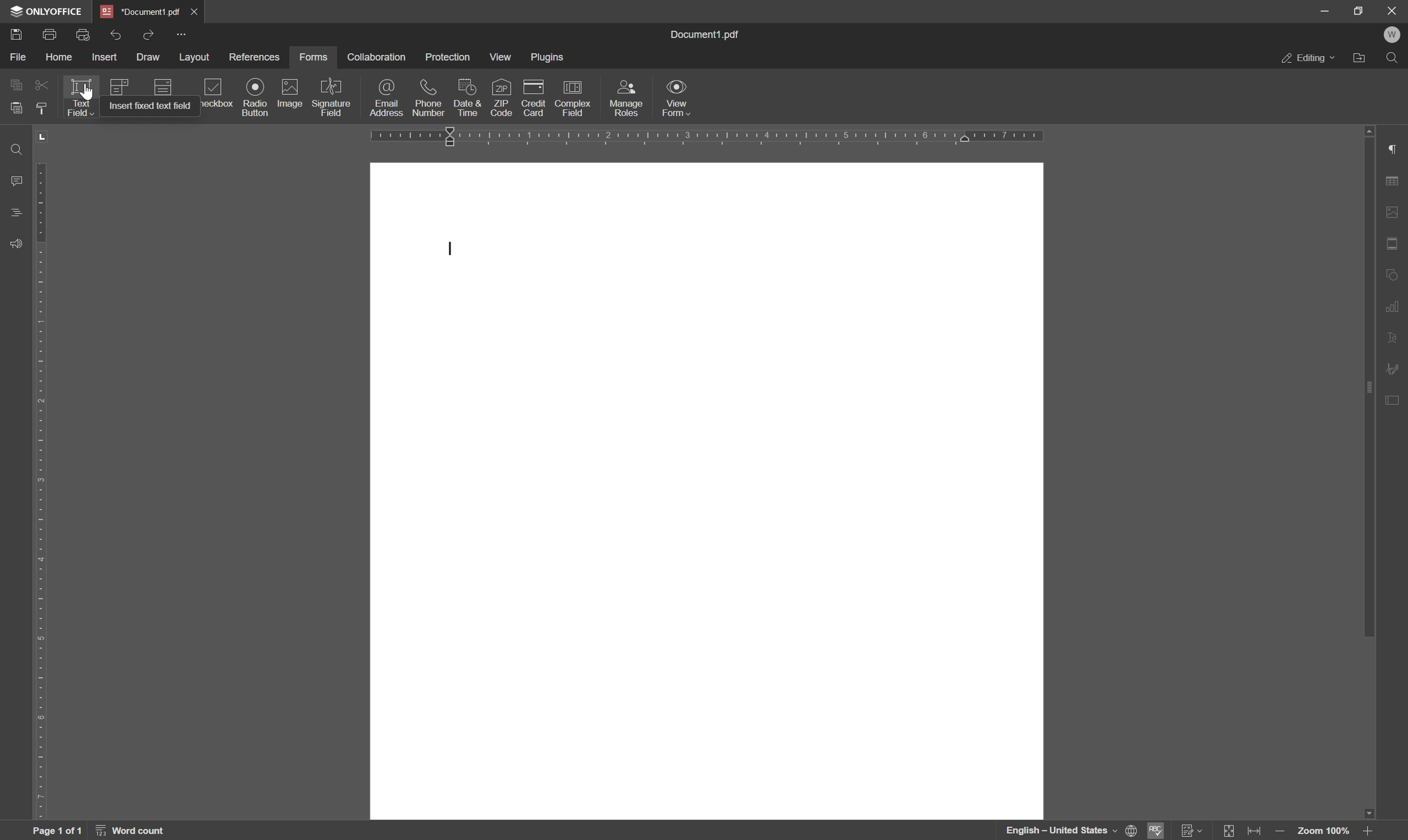 The image size is (1408, 840). I want to click on file, so click(19, 60).